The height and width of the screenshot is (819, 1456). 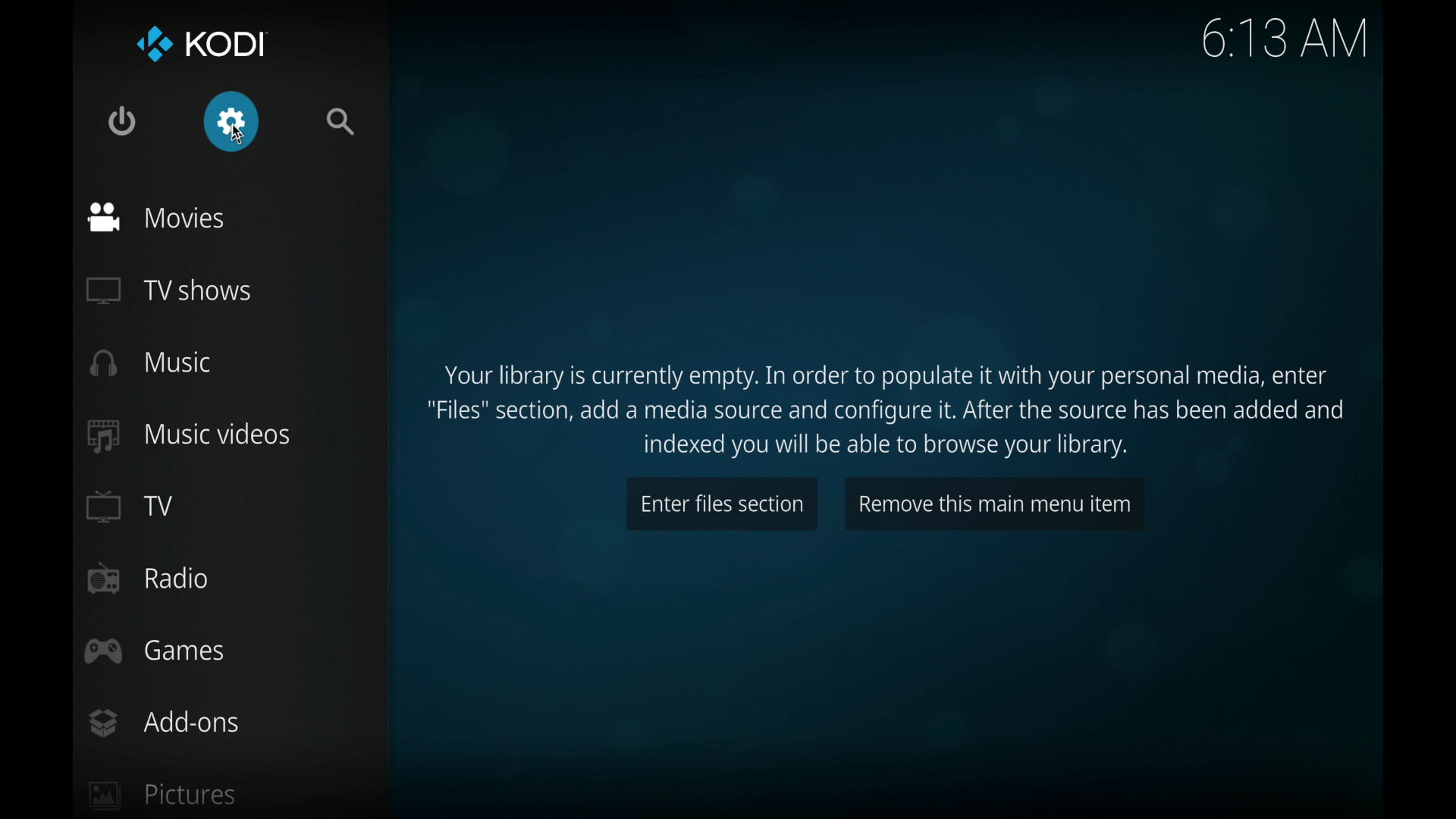 I want to click on radio, so click(x=151, y=579).